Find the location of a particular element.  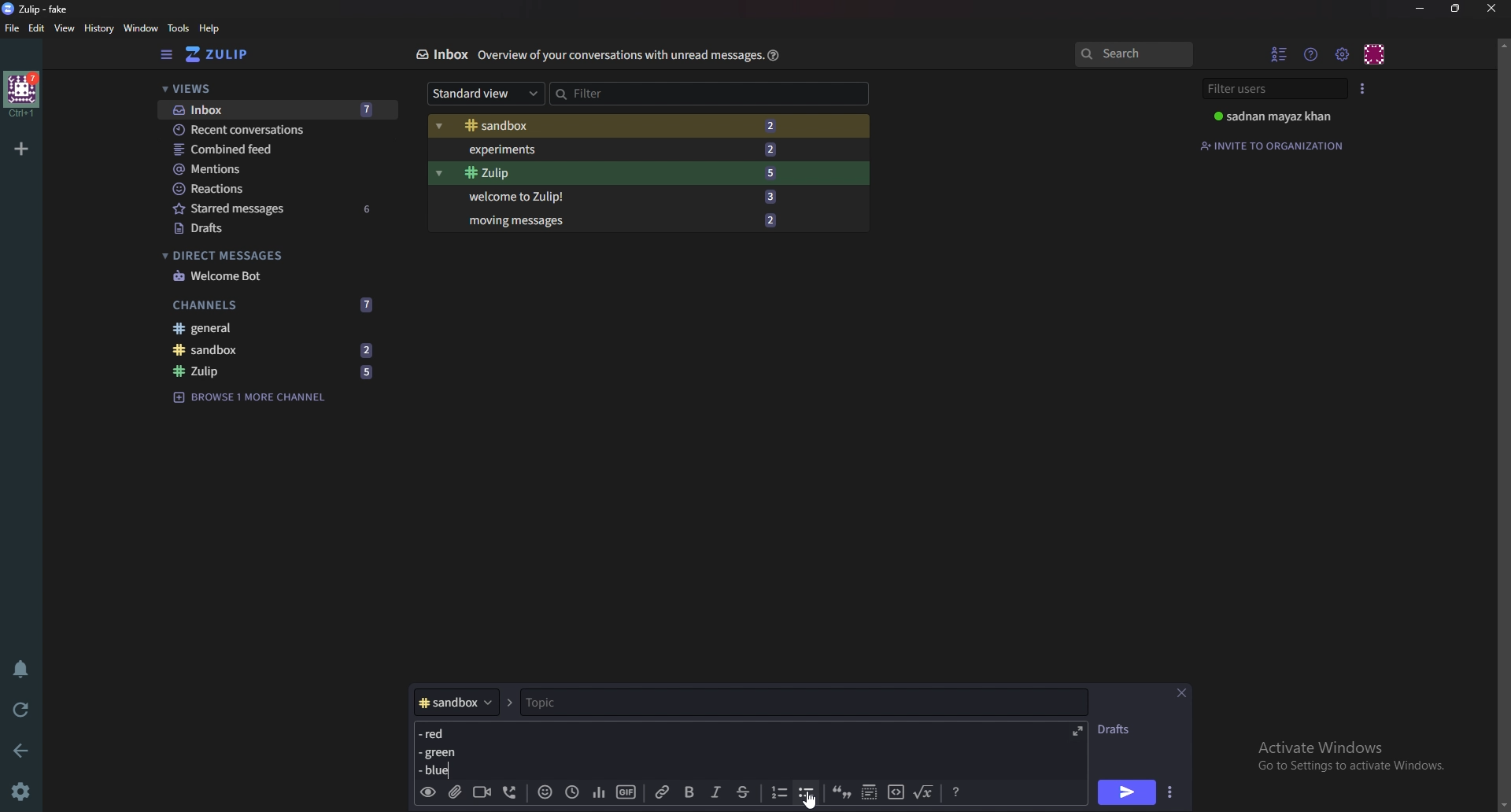

Filter is located at coordinates (617, 93).